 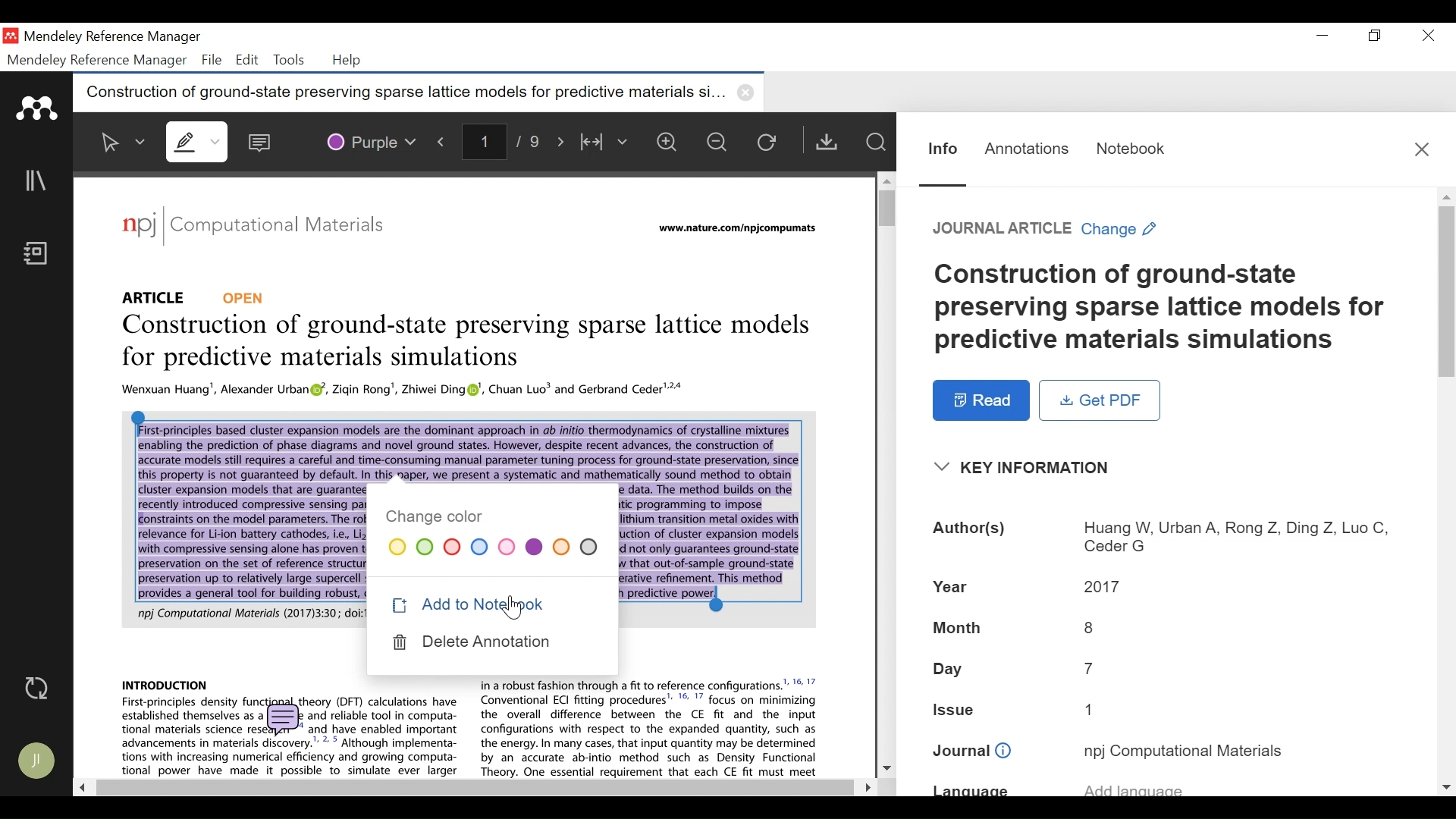 I want to click on Insertion cursor, so click(x=140, y=423).